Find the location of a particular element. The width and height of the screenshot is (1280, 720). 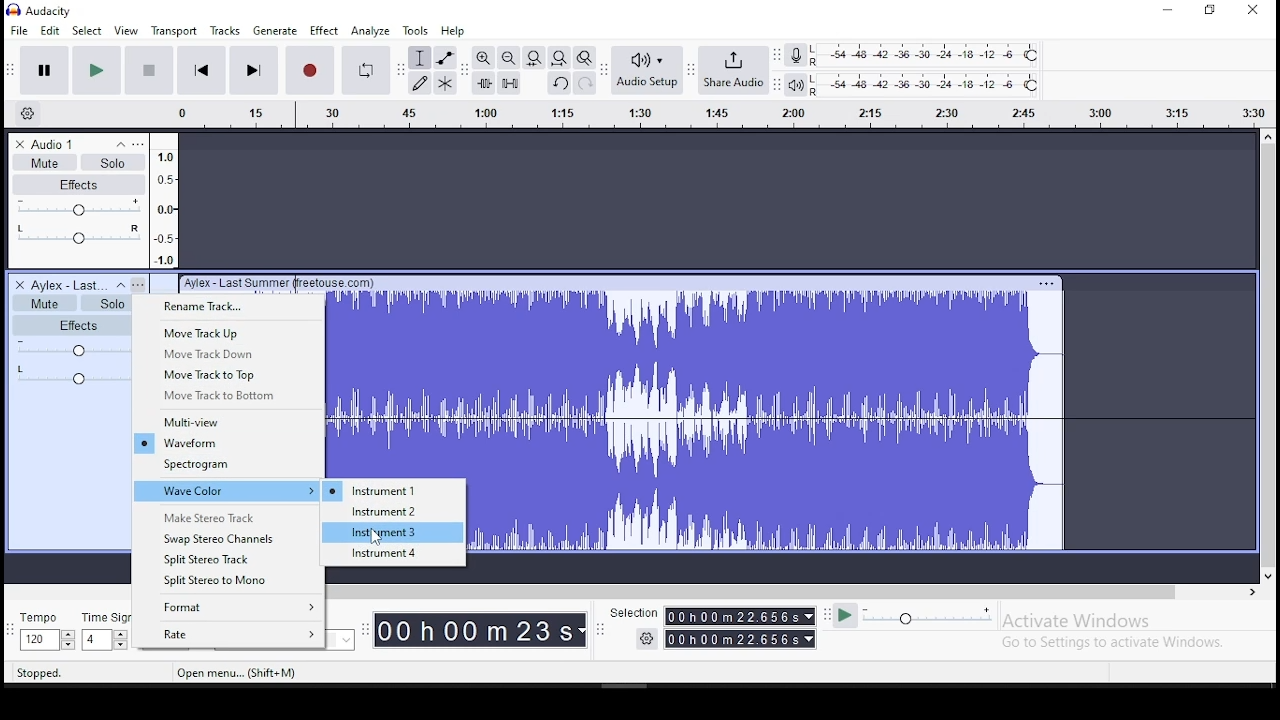

time signature is located at coordinates (105, 631).